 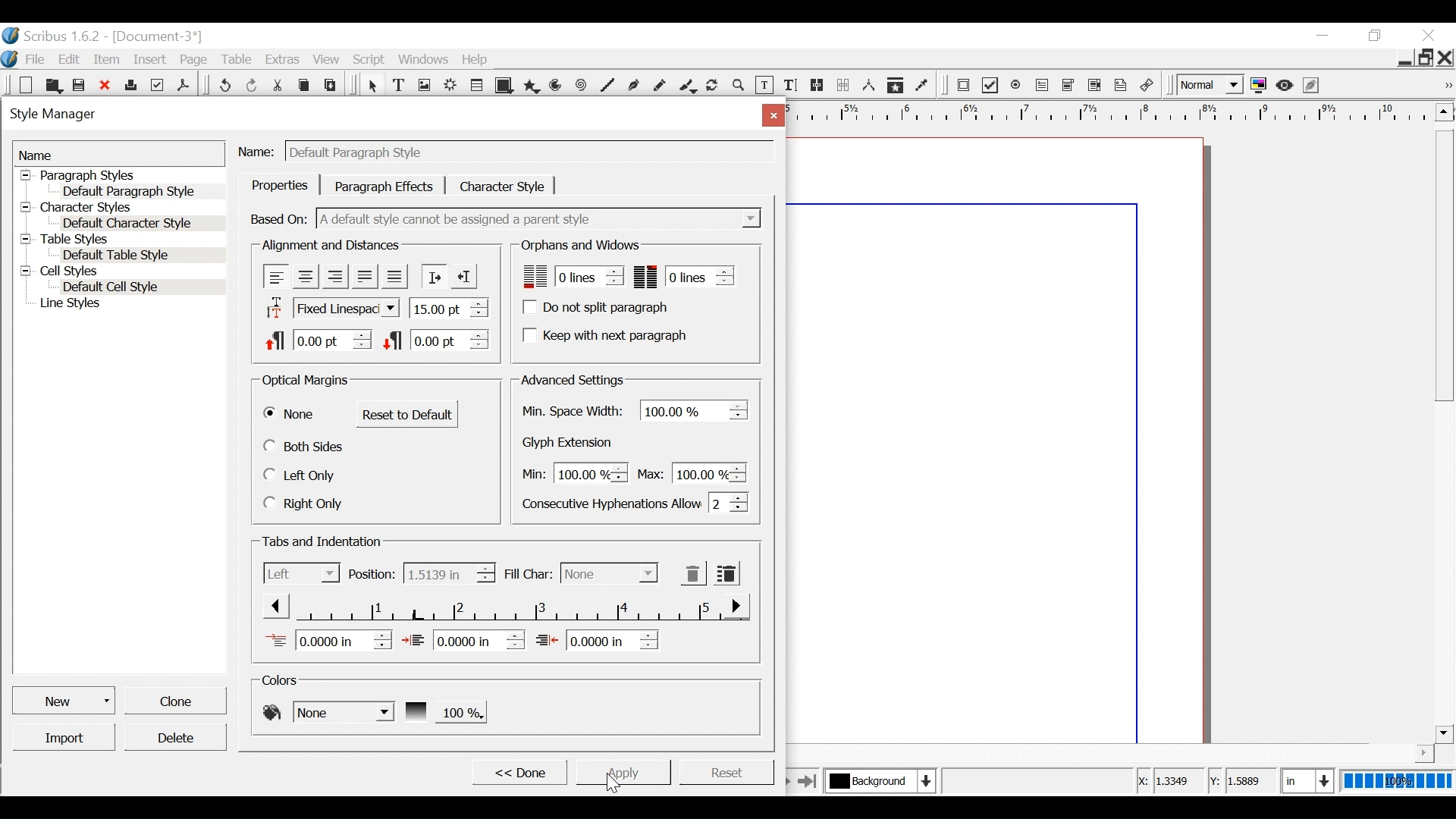 I want to click on Space Above, so click(x=318, y=338).